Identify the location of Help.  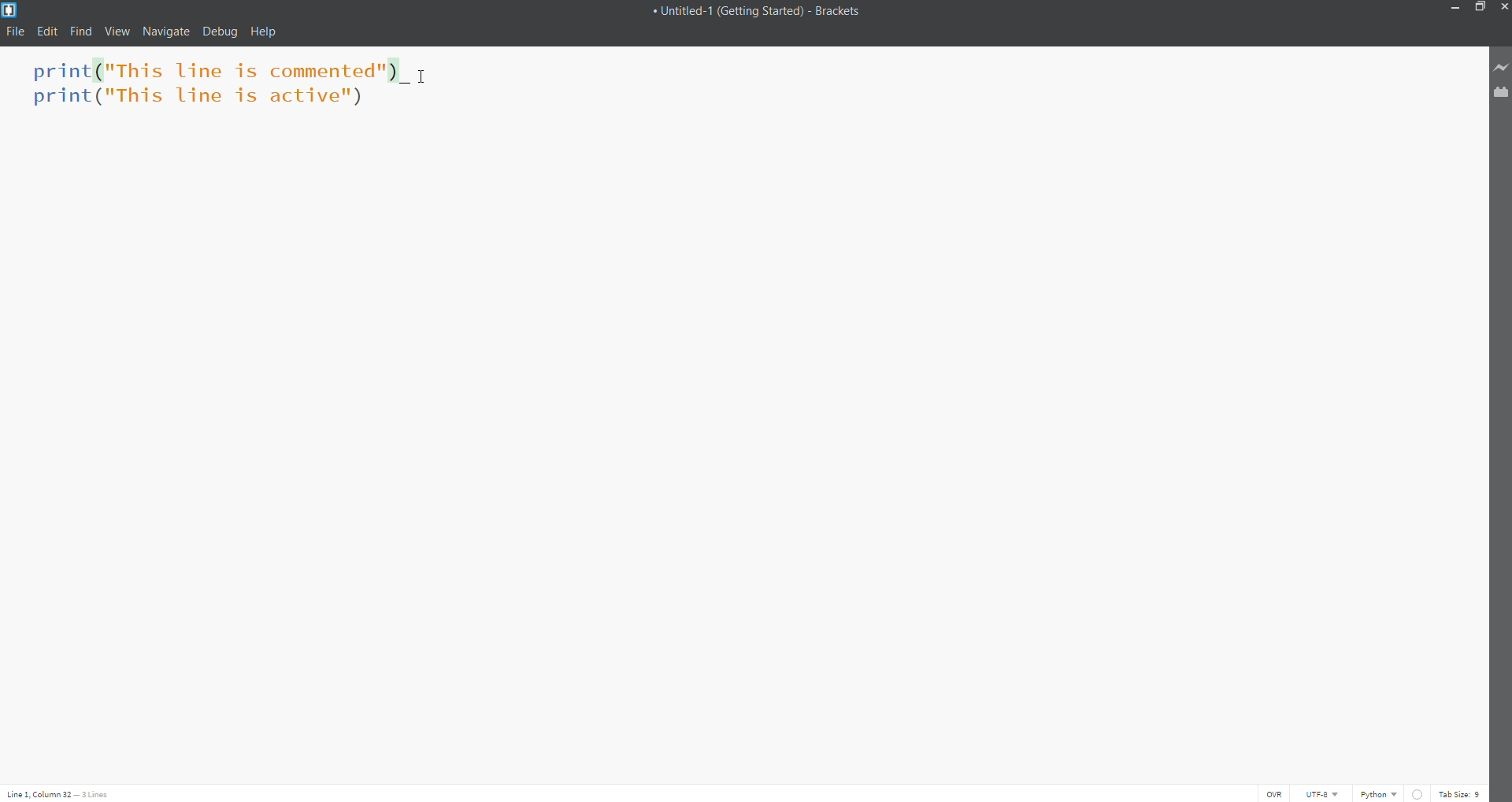
(265, 32).